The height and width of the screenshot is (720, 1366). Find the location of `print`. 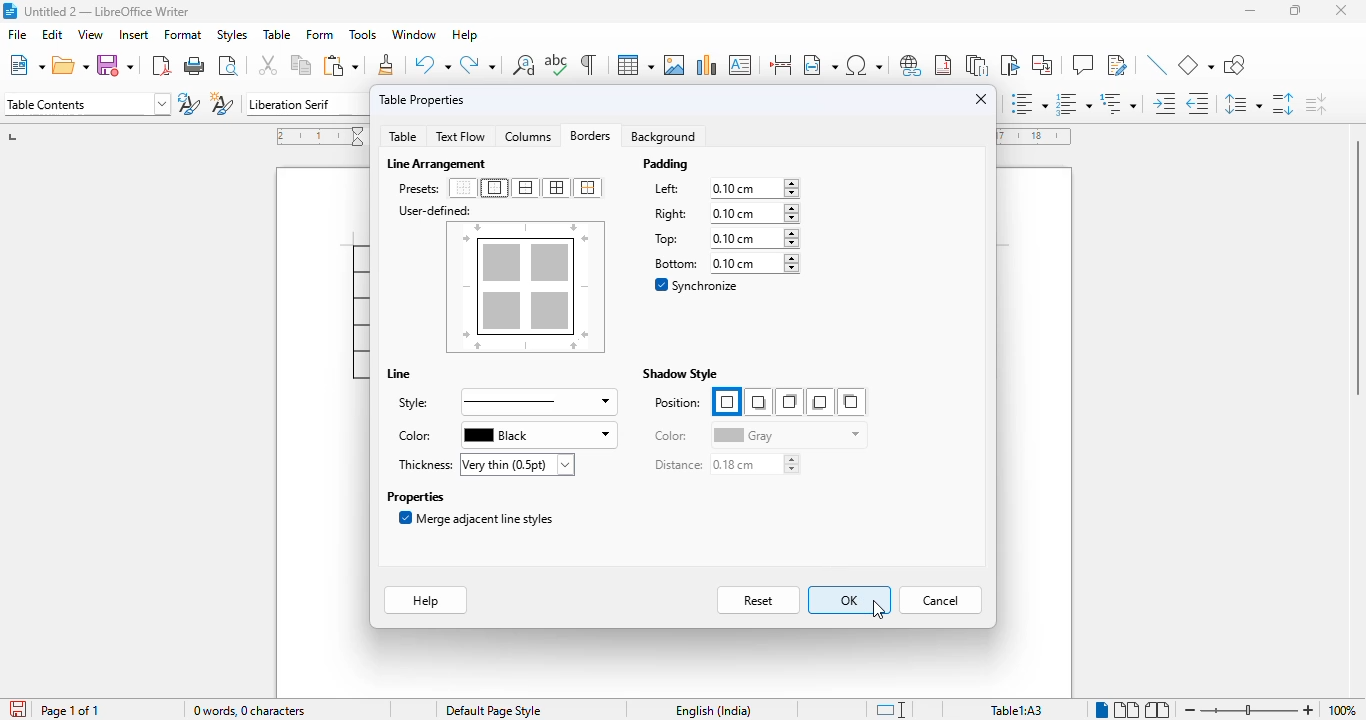

print is located at coordinates (196, 66).